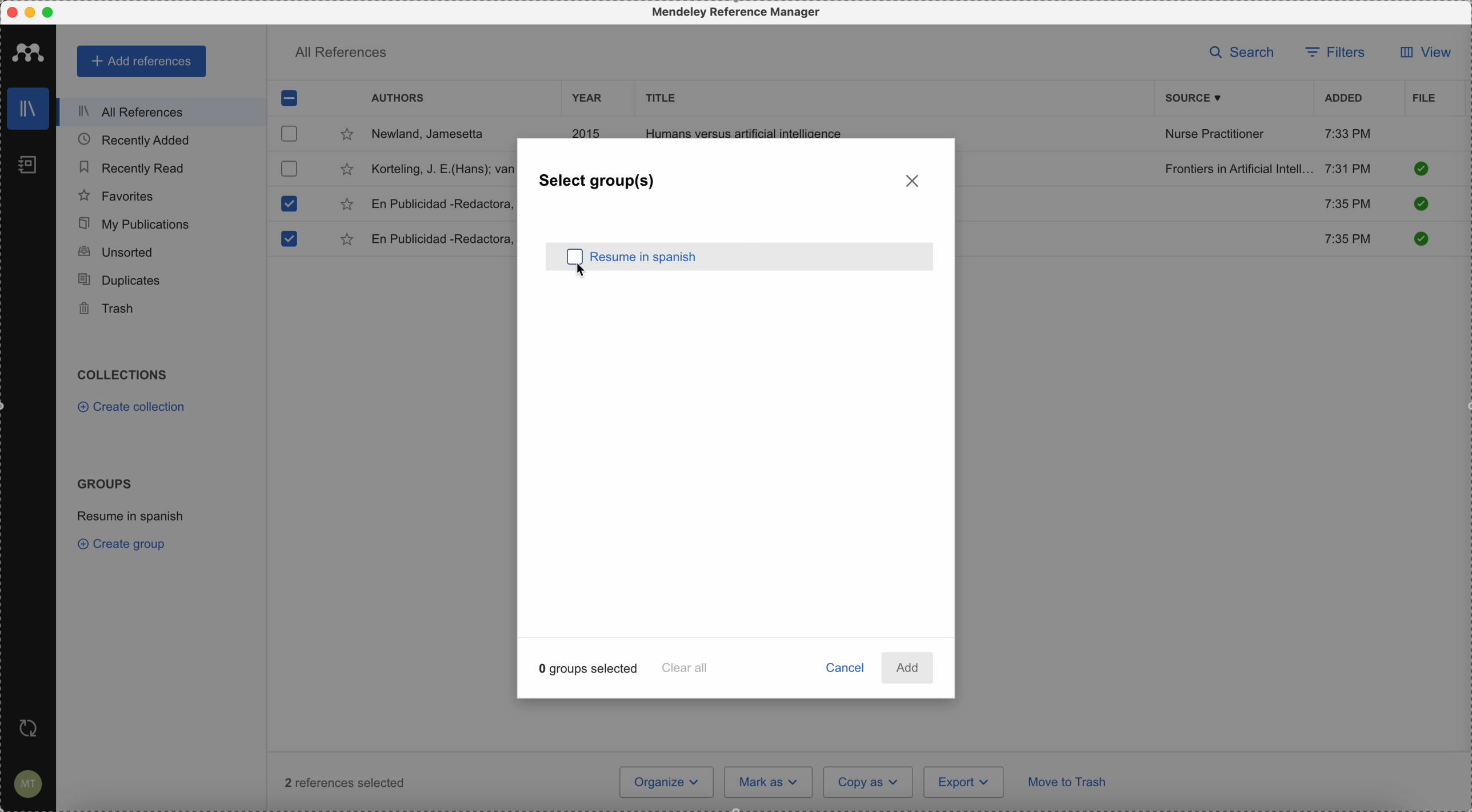 The image size is (1472, 812). I want to click on En Publicidad-Redactora, Lcda, so click(442, 239).